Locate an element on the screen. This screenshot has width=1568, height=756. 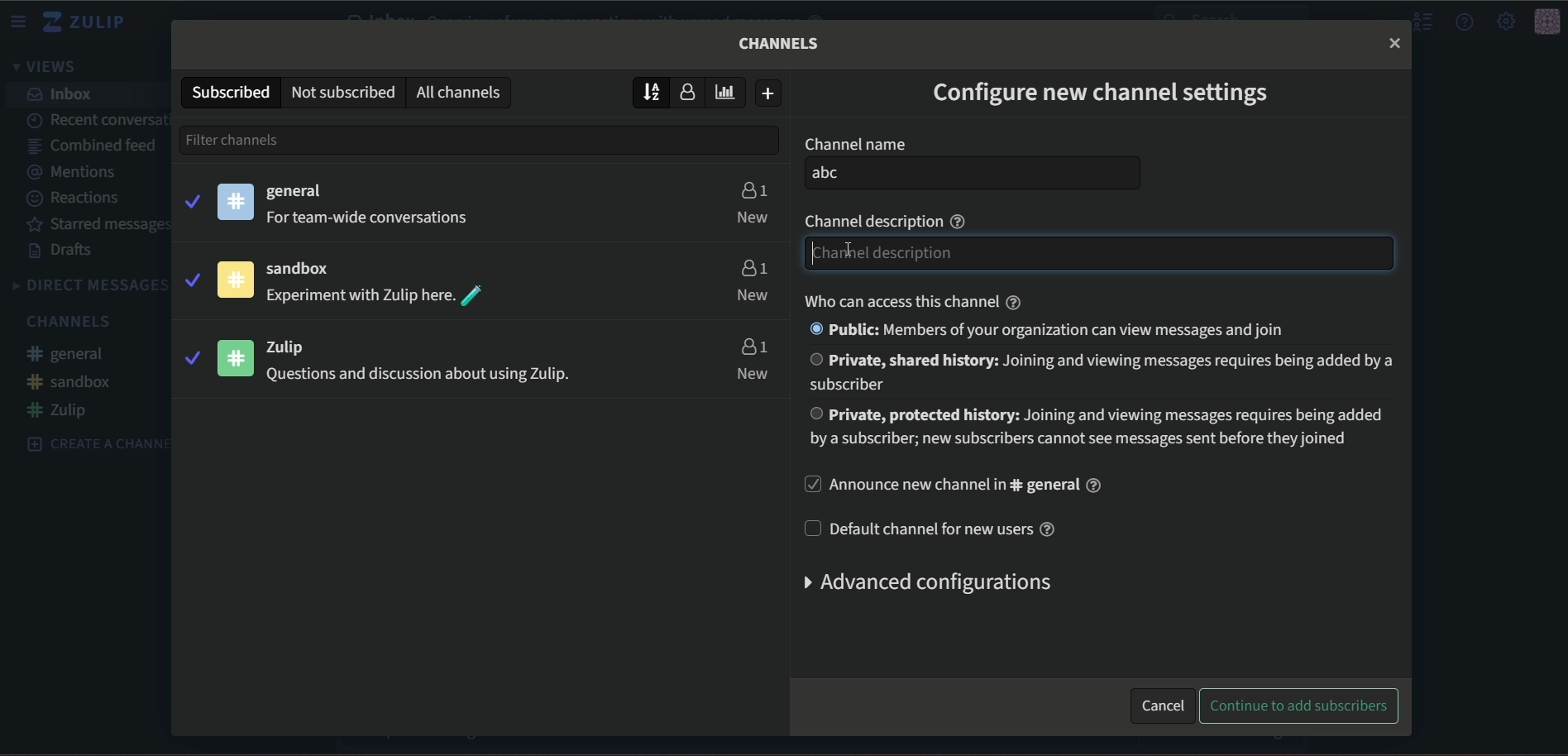
zulip logo is located at coordinates (88, 22).